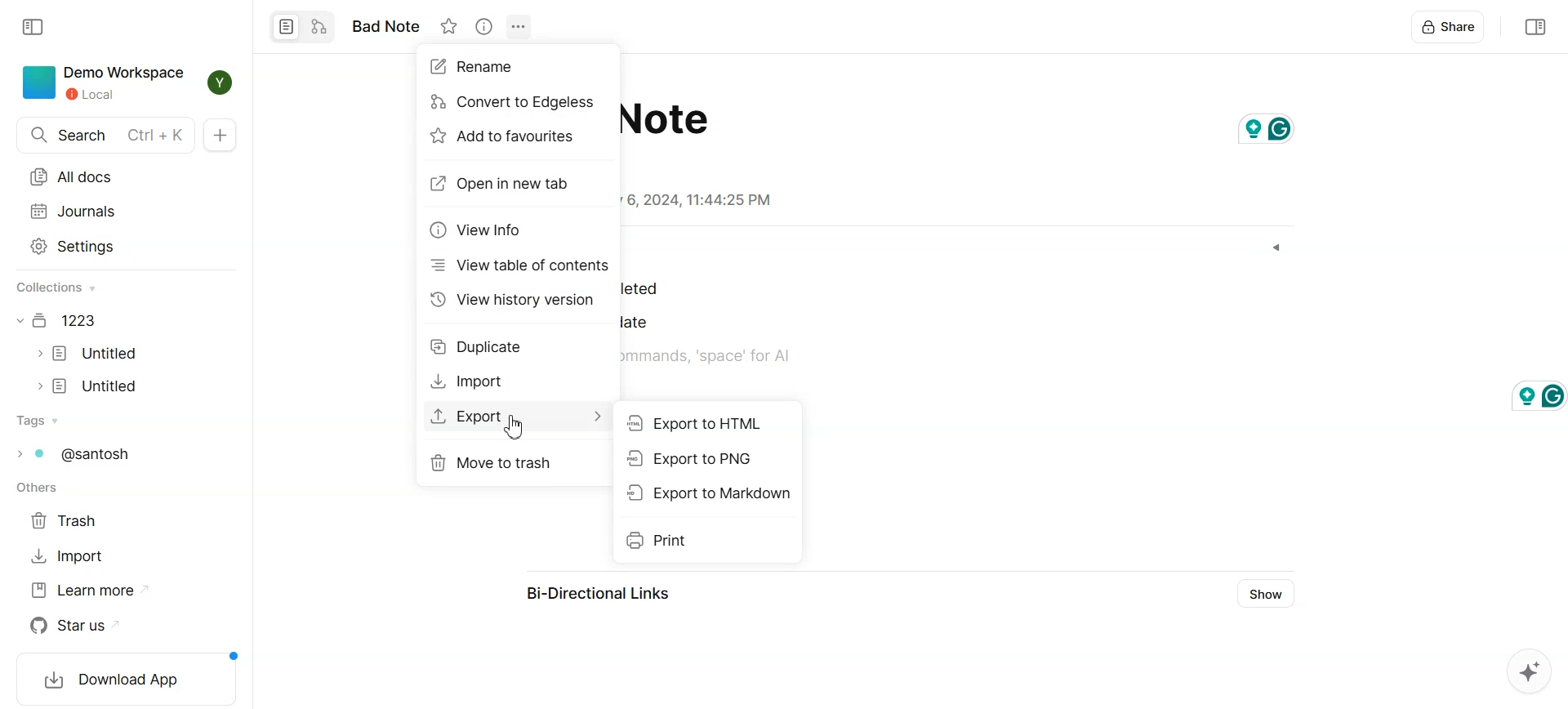 This screenshot has width=1568, height=709. Describe the element at coordinates (449, 26) in the screenshot. I see `Not starred` at that location.